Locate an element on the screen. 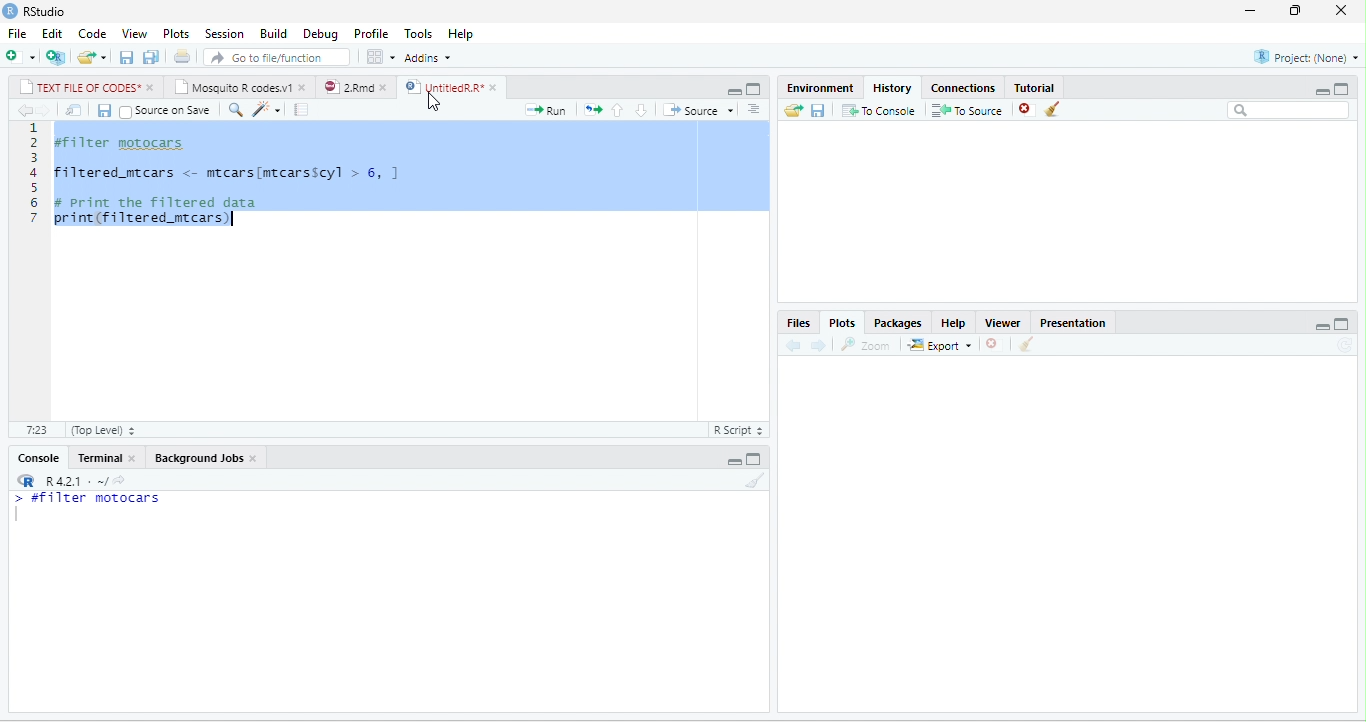 Image resolution: width=1366 pixels, height=722 pixels. Profile is located at coordinates (371, 34).